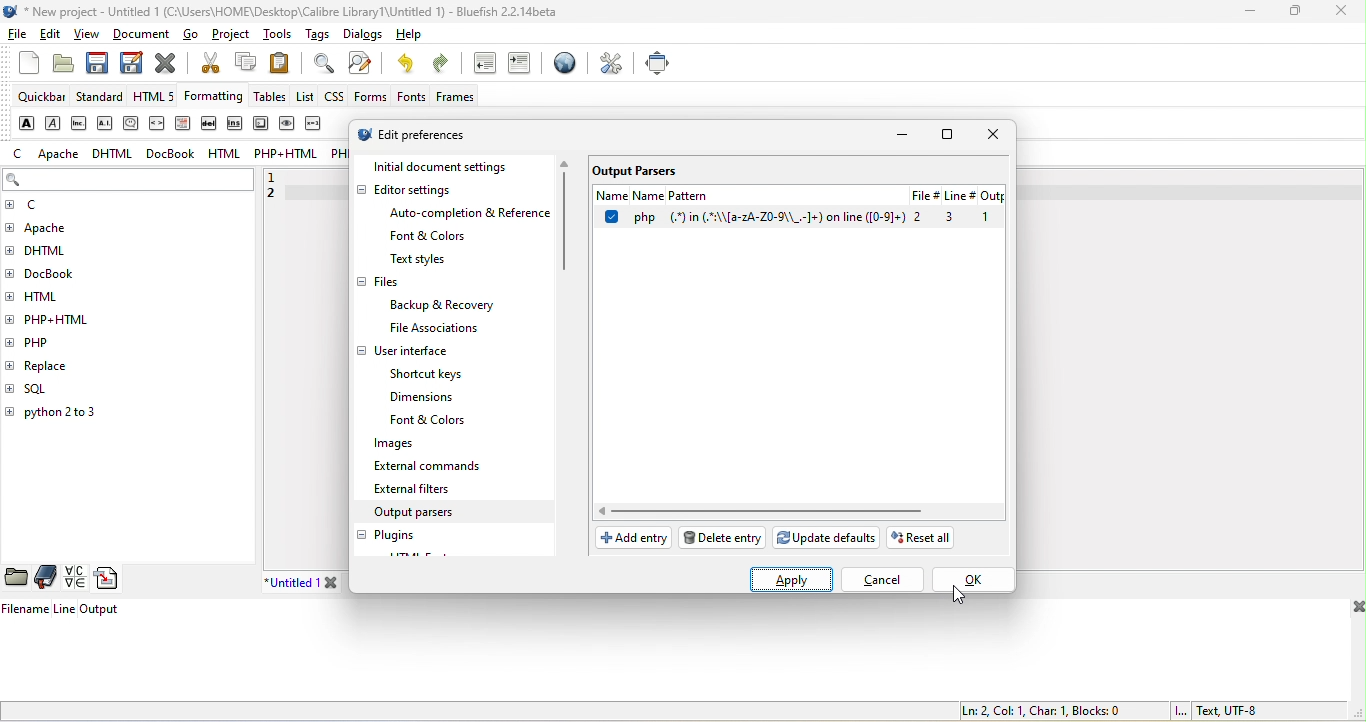 The height and width of the screenshot is (722, 1366). I want to click on user interface, so click(405, 352).